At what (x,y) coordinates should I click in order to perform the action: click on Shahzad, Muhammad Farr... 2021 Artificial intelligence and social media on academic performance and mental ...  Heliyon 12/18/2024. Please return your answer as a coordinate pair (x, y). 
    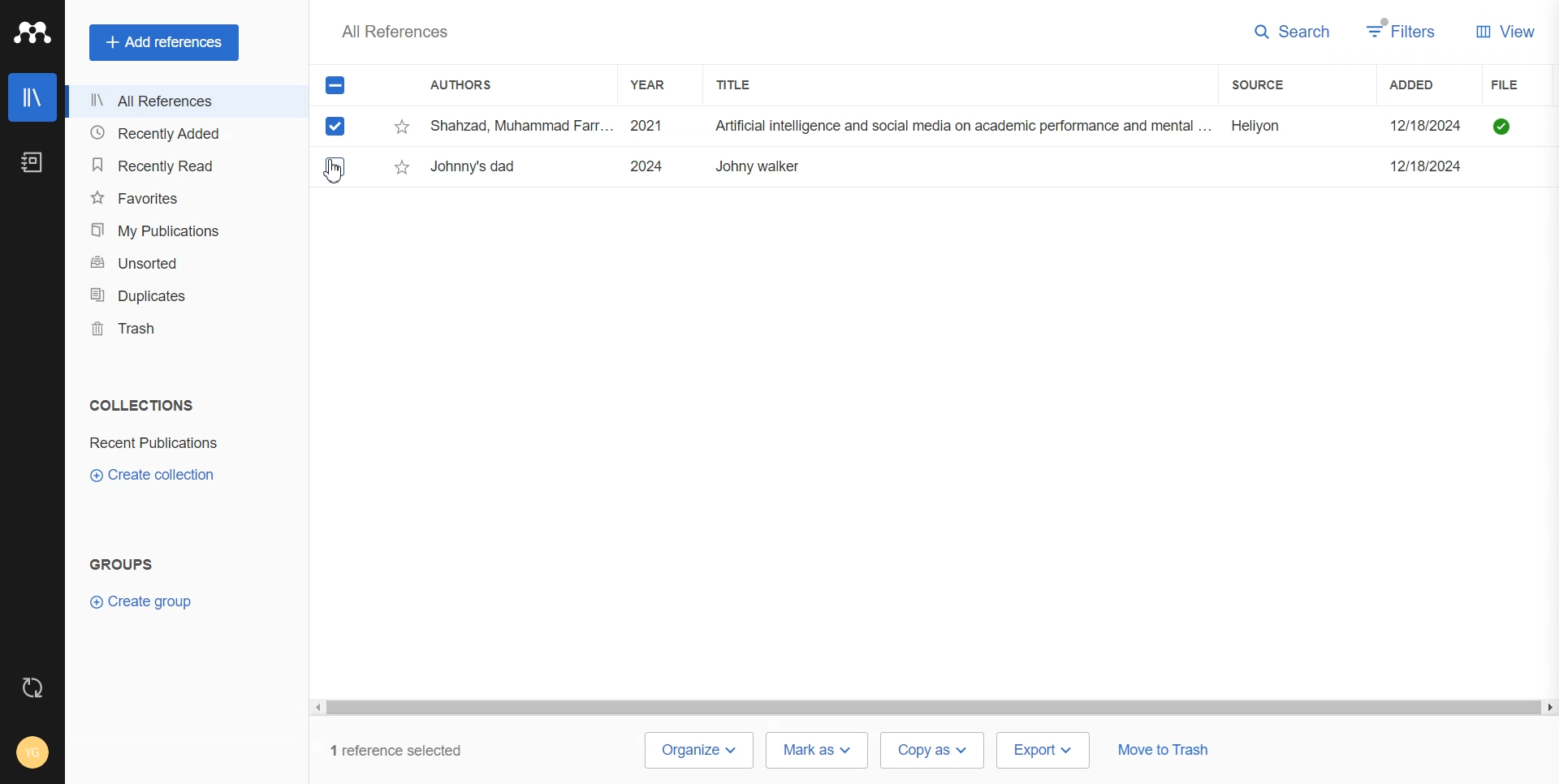
    Looking at the image, I should click on (952, 127).